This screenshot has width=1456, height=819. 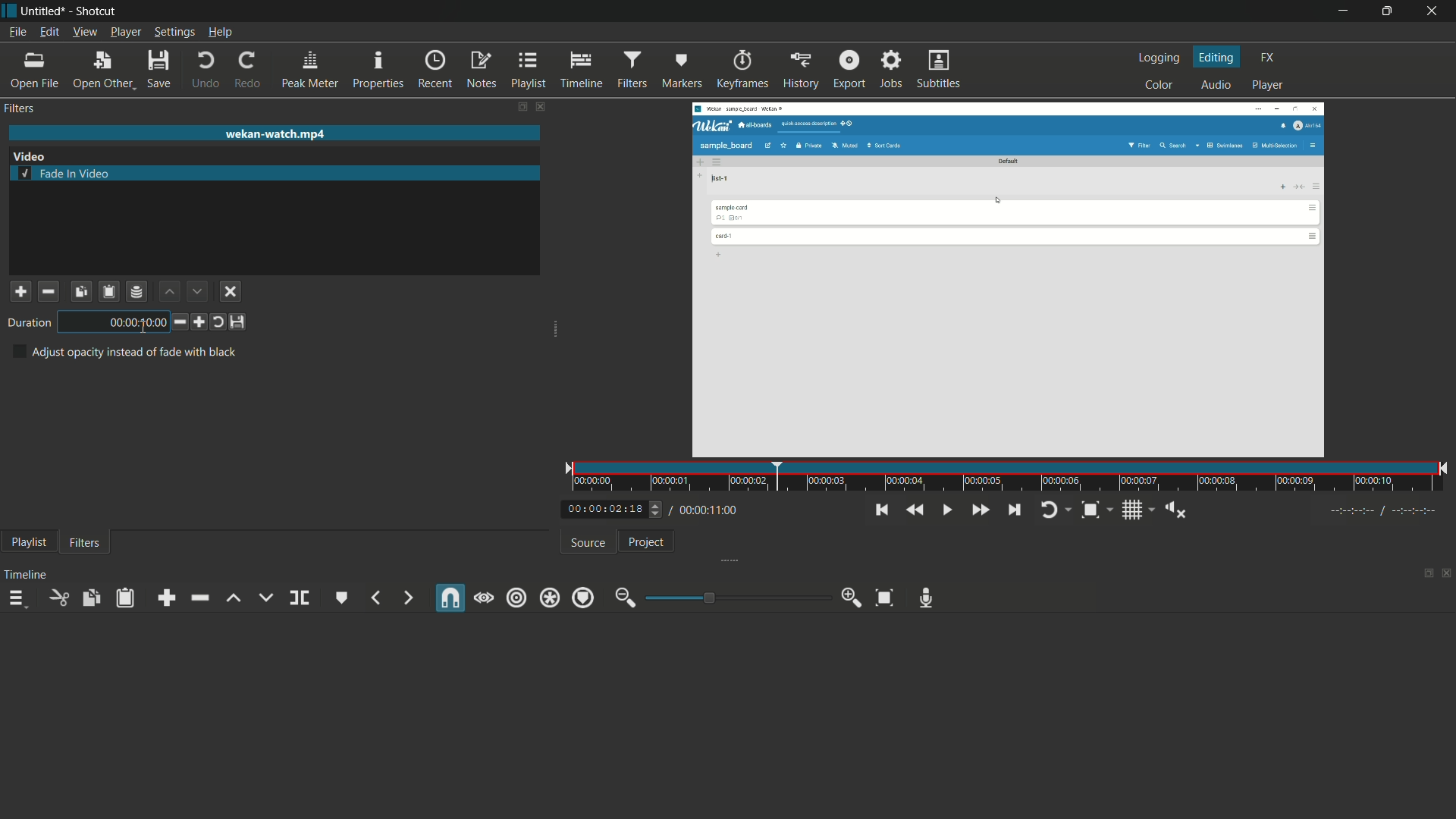 I want to click on move filter up, so click(x=168, y=290).